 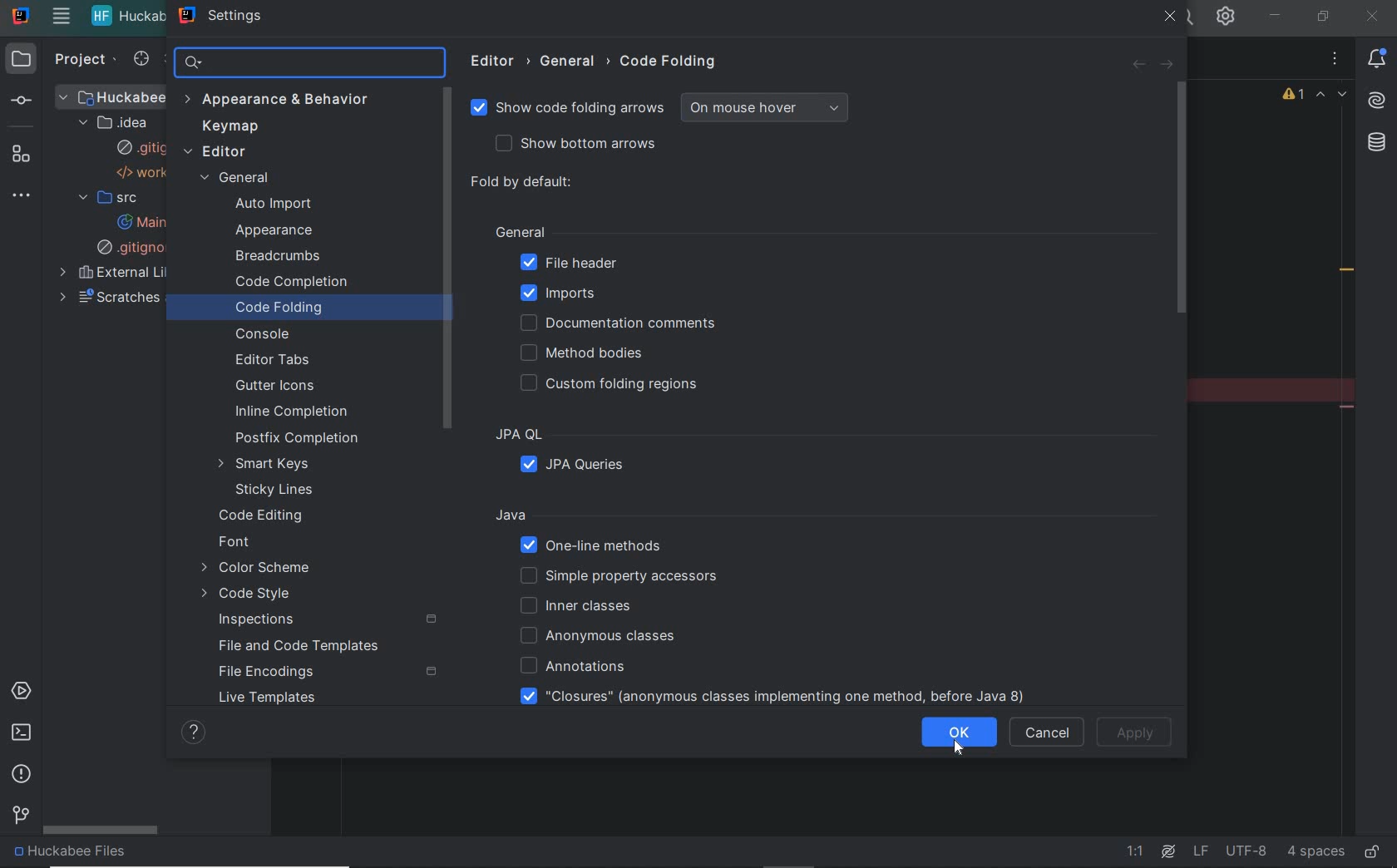 What do you see at coordinates (1373, 852) in the screenshot?
I see `make file ready only` at bounding box center [1373, 852].